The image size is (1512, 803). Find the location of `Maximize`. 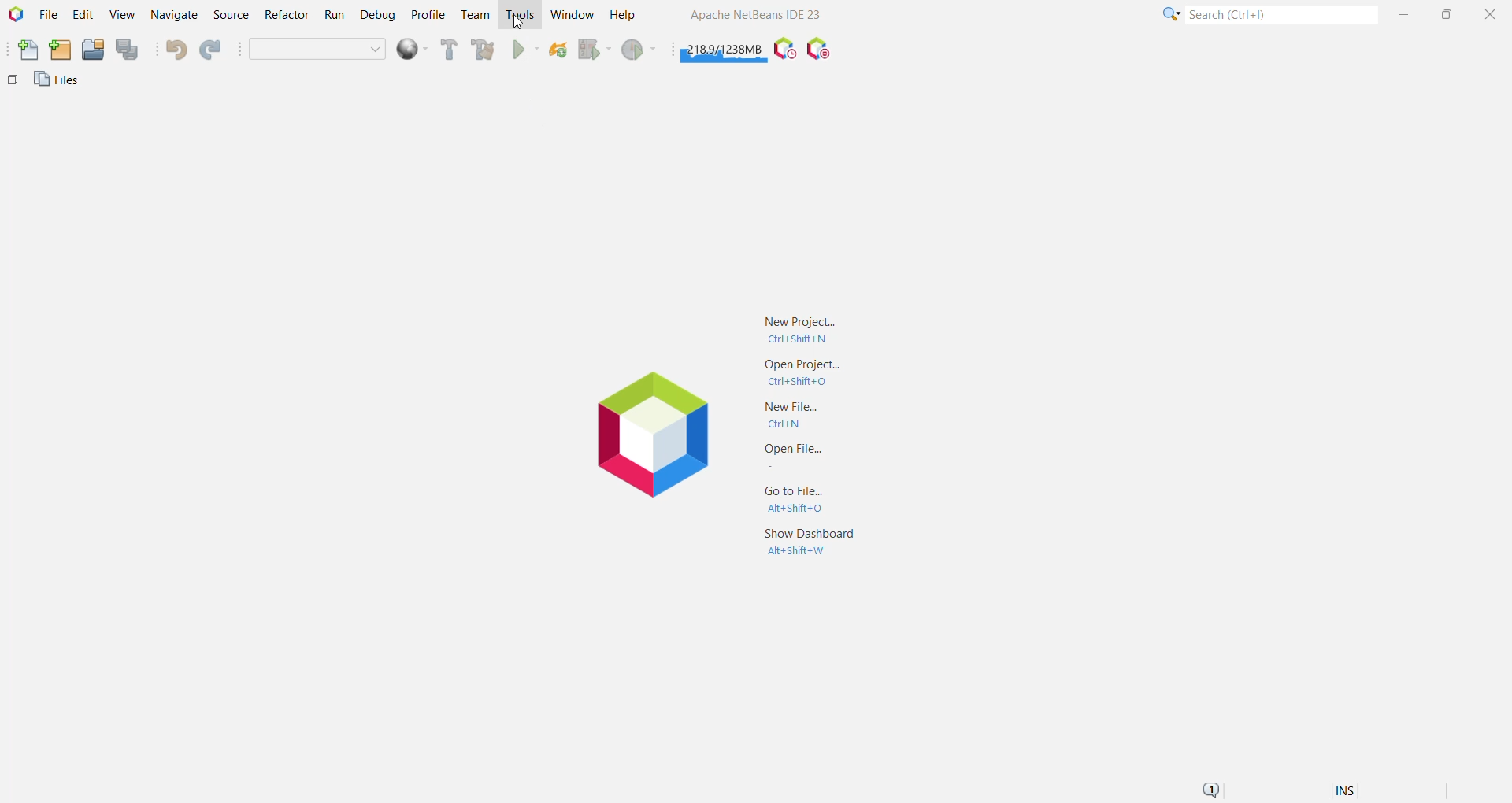

Maximize is located at coordinates (1449, 13).